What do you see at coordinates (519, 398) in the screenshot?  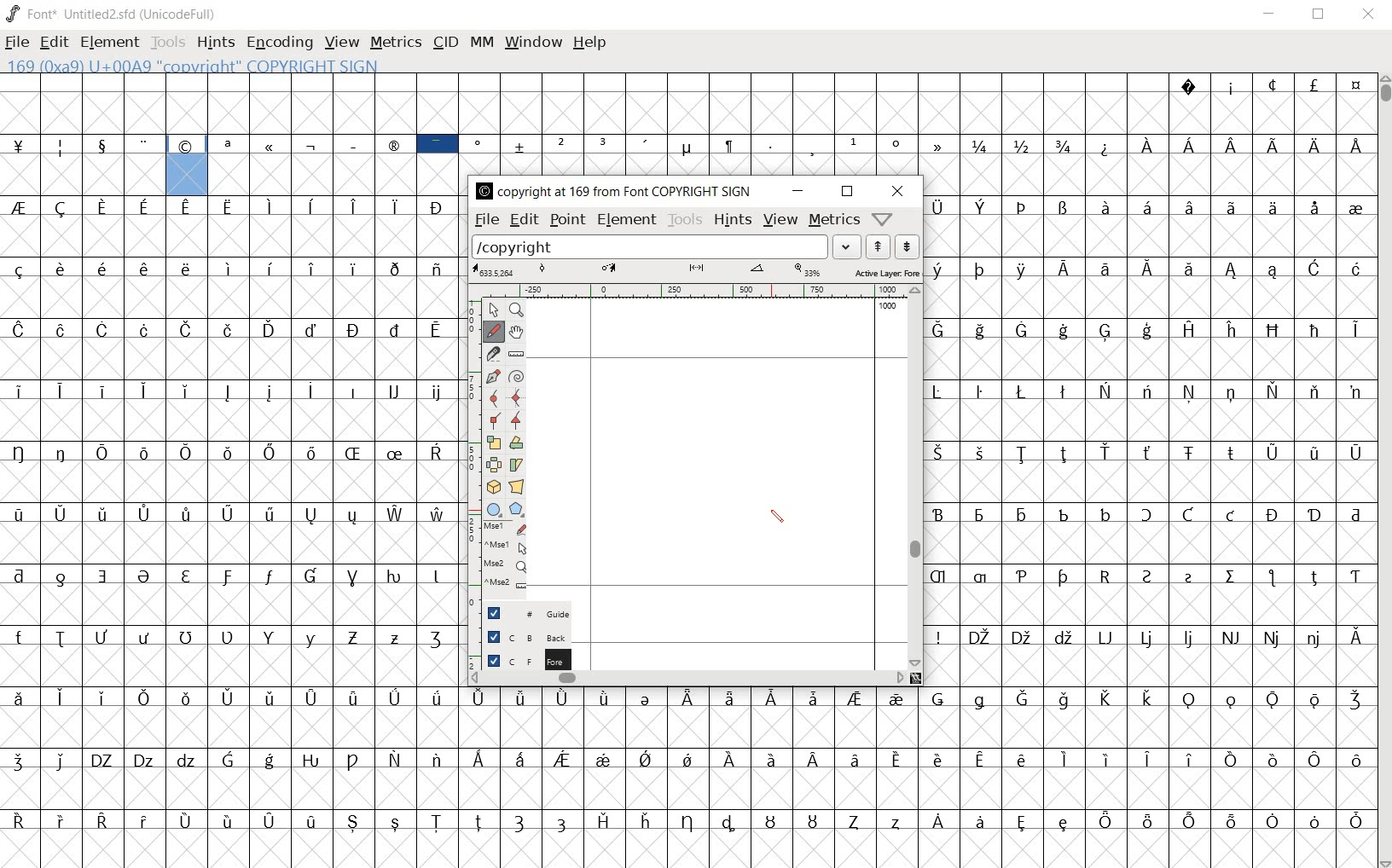 I see `add a curve point always either horizontal or vertical` at bounding box center [519, 398].